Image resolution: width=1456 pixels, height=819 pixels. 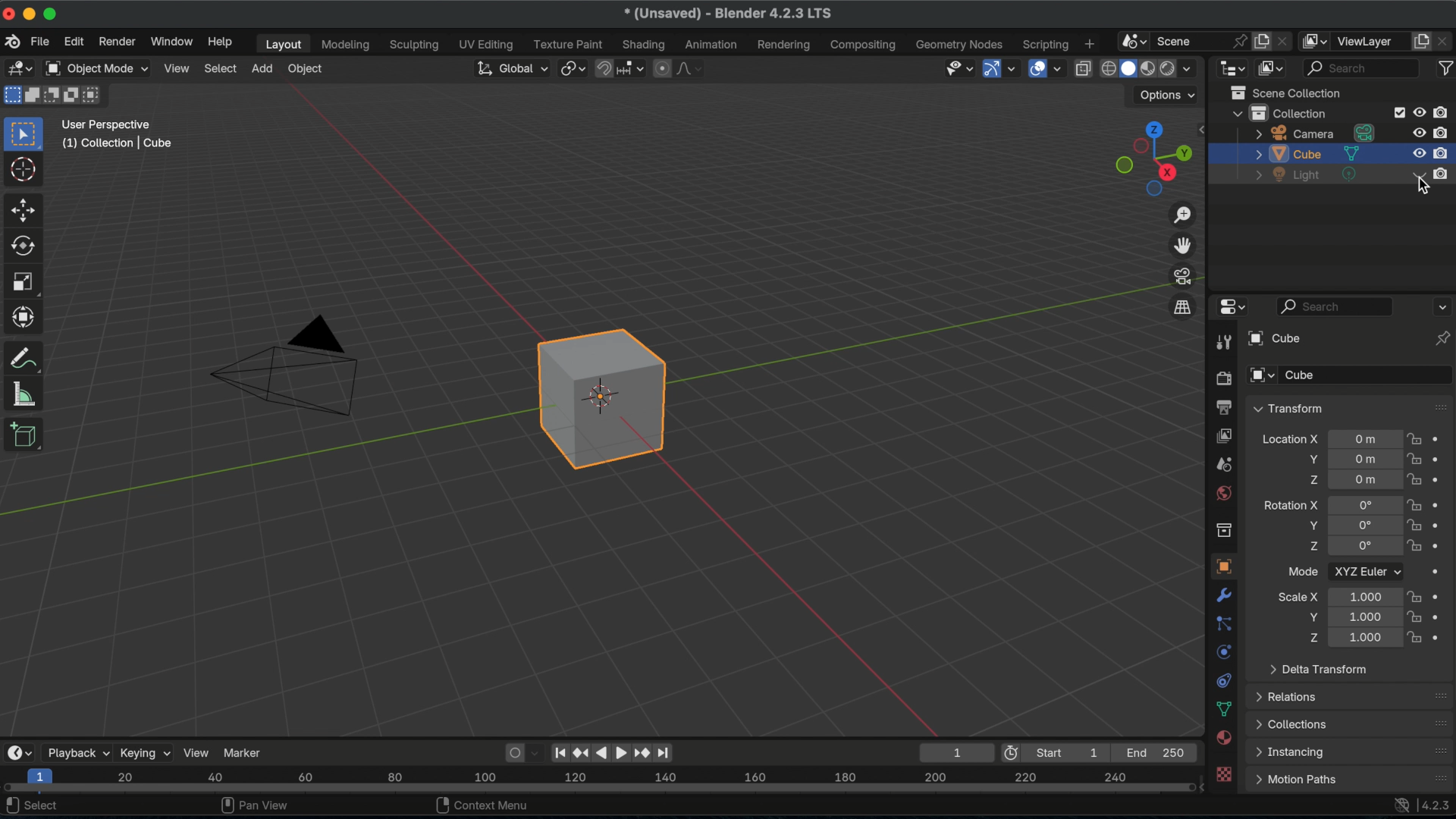 What do you see at coordinates (1058, 754) in the screenshot?
I see `first frame of playback/ rendering range` at bounding box center [1058, 754].